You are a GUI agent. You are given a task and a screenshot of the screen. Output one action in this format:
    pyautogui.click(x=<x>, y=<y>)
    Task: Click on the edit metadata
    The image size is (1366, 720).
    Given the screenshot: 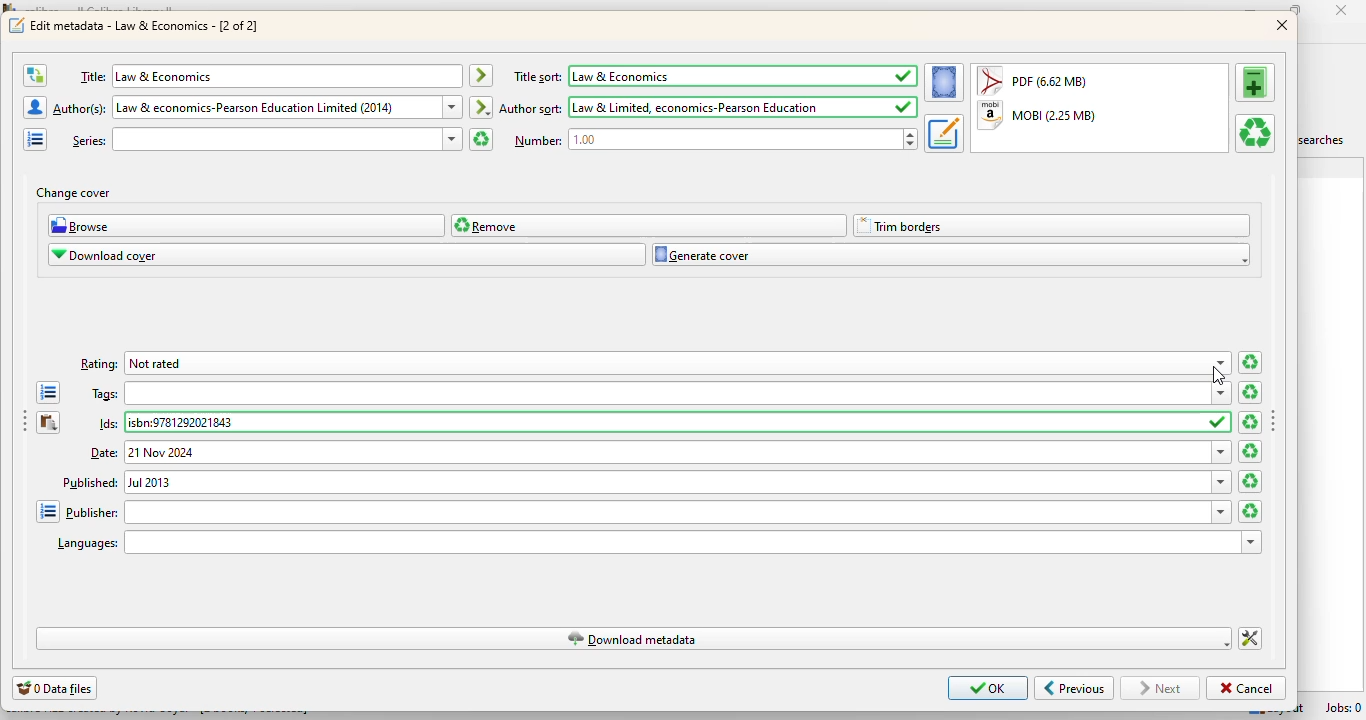 What is the action you would take?
    pyautogui.click(x=146, y=25)
    